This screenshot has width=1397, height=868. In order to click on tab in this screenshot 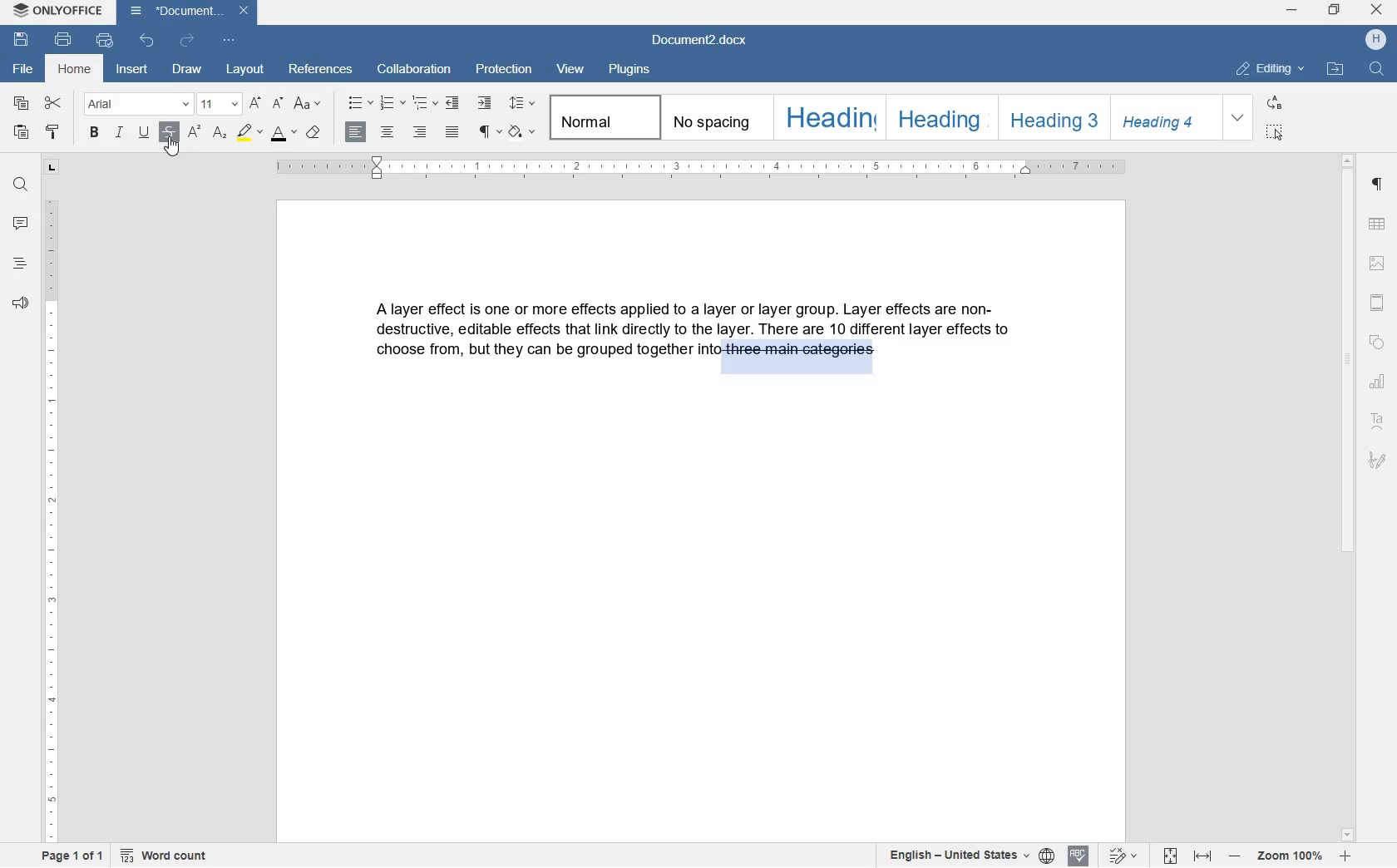, I will do `click(52, 167)`.